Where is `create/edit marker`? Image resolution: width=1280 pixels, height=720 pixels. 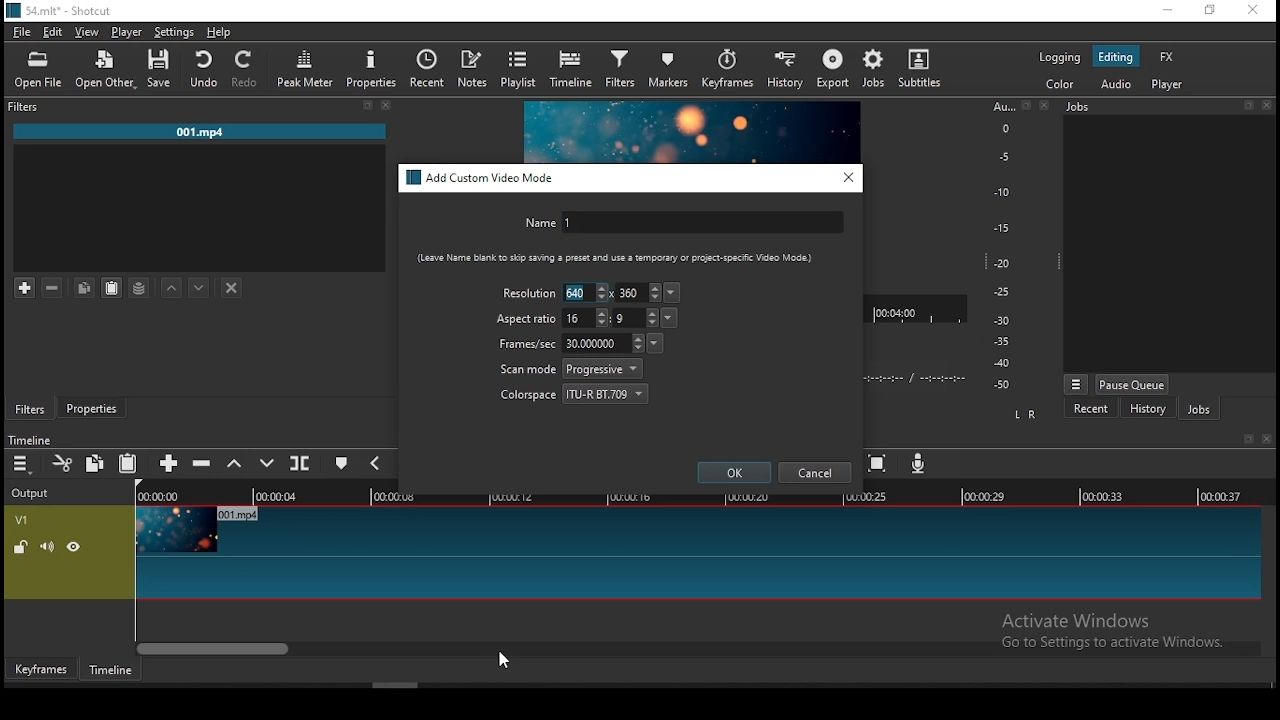 create/edit marker is located at coordinates (341, 466).